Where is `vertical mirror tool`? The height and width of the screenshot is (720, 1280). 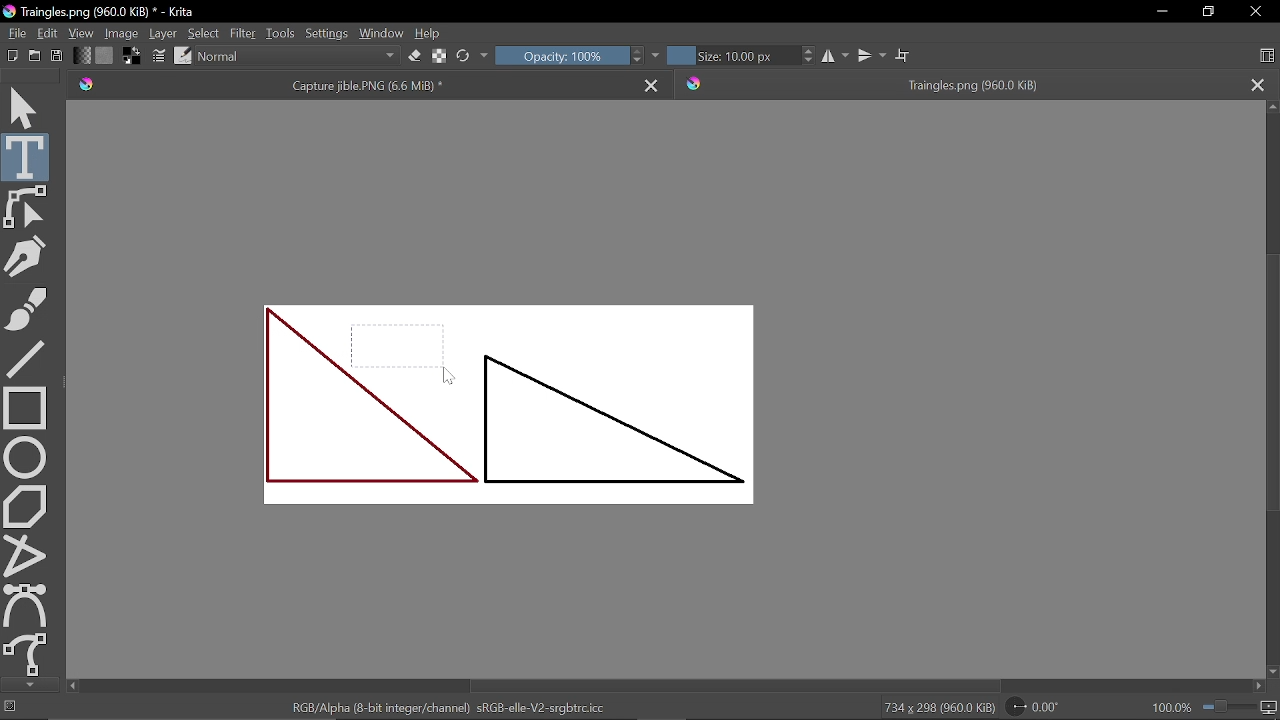 vertical mirror tool is located at coordinates (871, 56).